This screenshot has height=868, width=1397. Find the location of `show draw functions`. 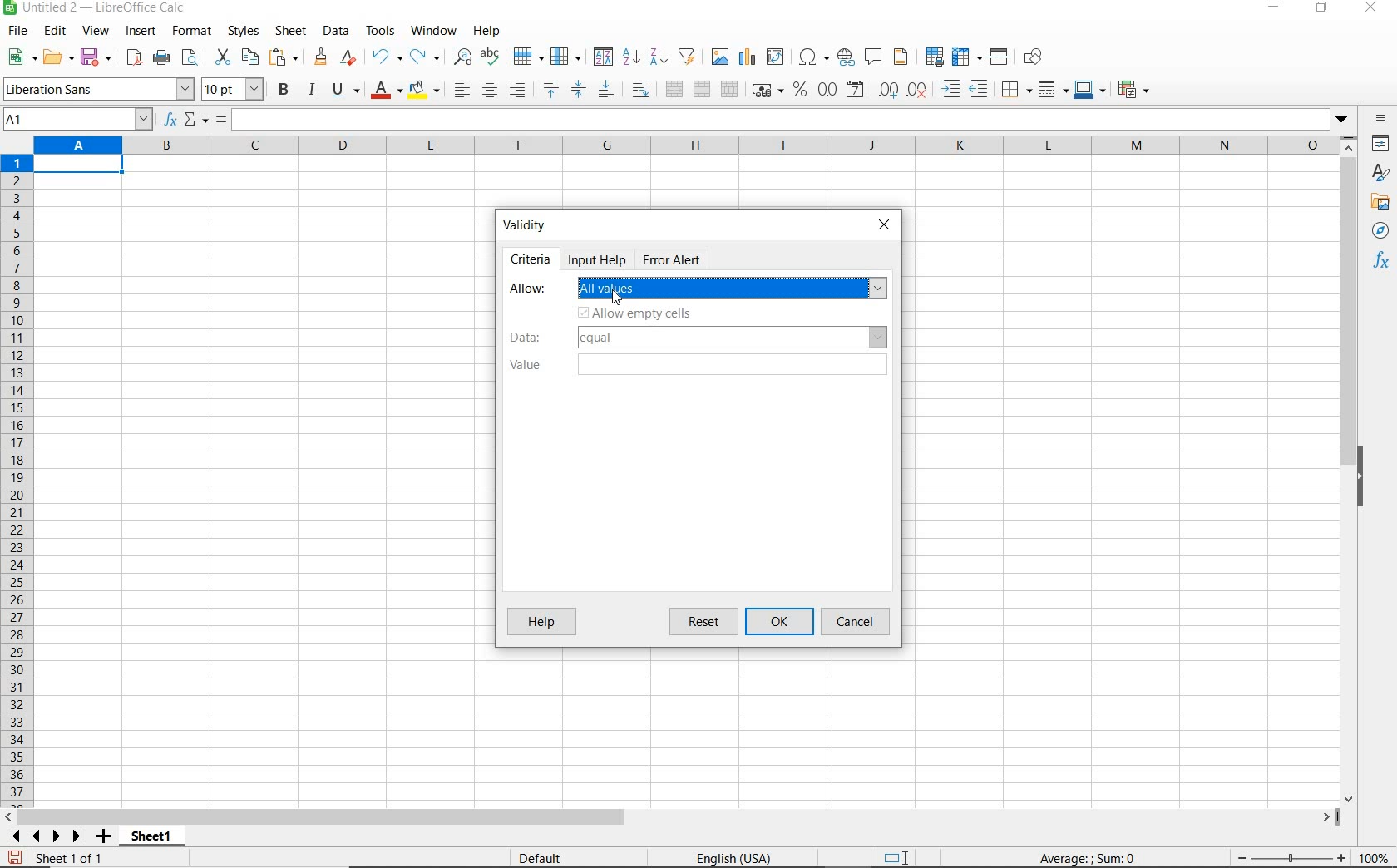

show draw functions is located at coordinates (1036, 57).